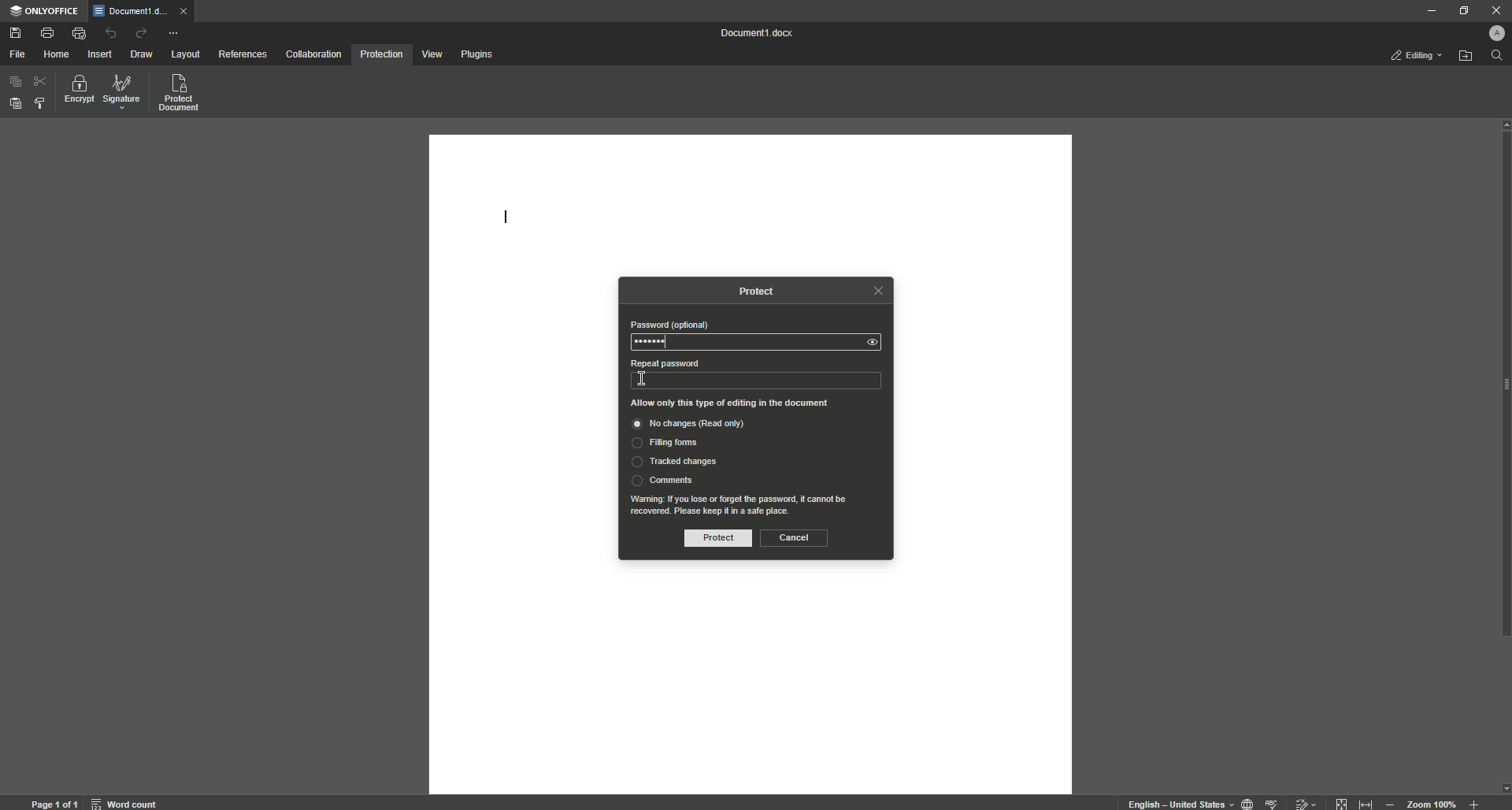 The image size is (1512, 810). Describe the element at coordinates (122, 92) in the screenshot. I see `Signature` at that location.